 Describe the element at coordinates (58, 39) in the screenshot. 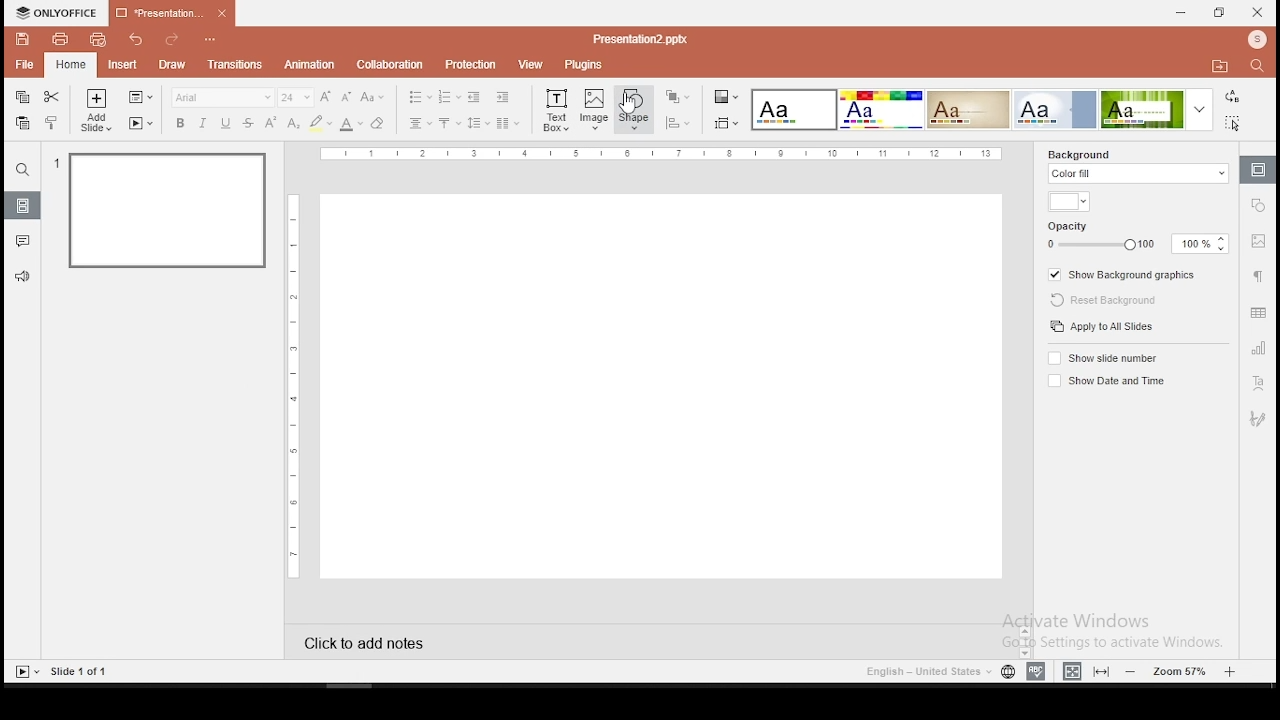

I see `print file` at that location.